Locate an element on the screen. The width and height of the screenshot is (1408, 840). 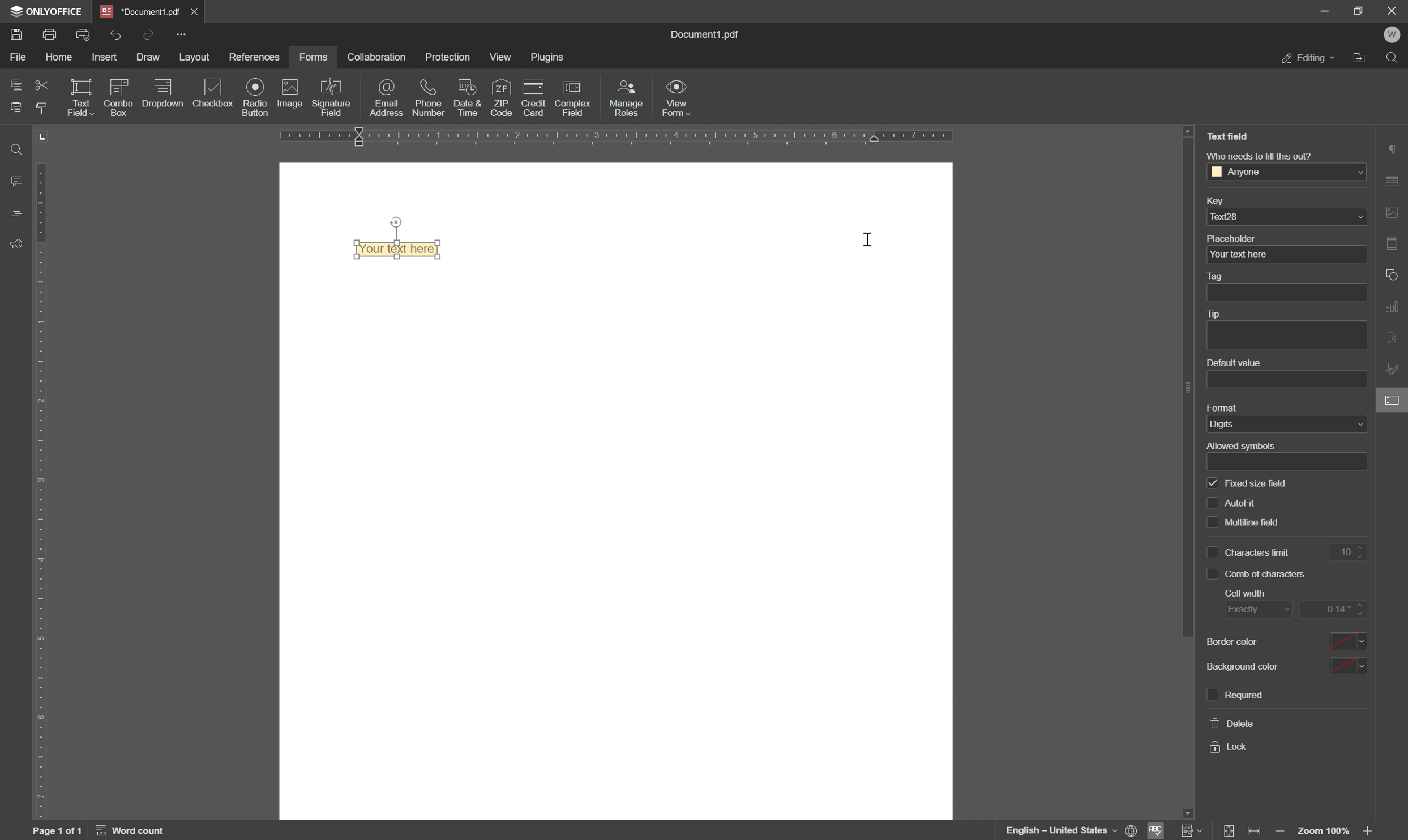
comments is located at coordinates (15, 181).